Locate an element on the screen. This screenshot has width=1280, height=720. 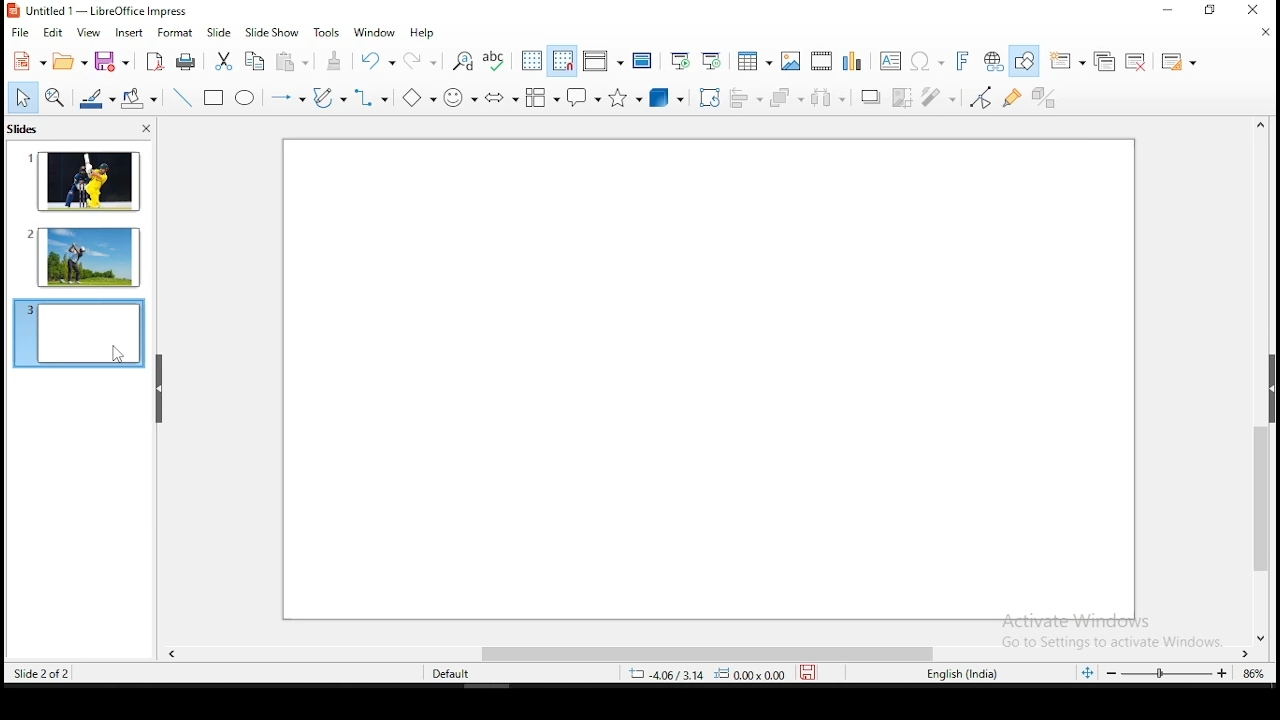
slide show is located at coordinates (270, 32).